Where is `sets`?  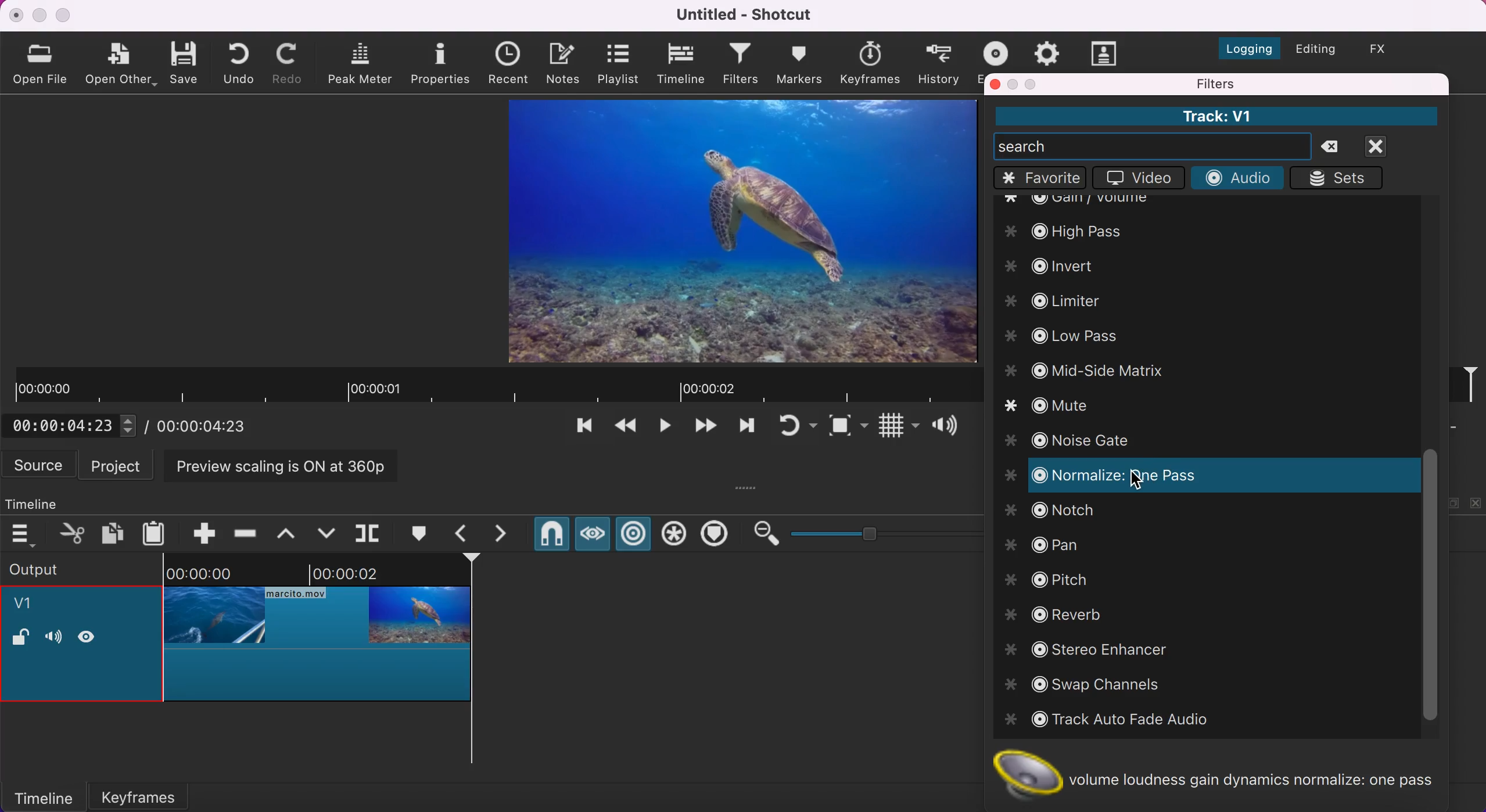 sets is located at coordinates (1341, 178).